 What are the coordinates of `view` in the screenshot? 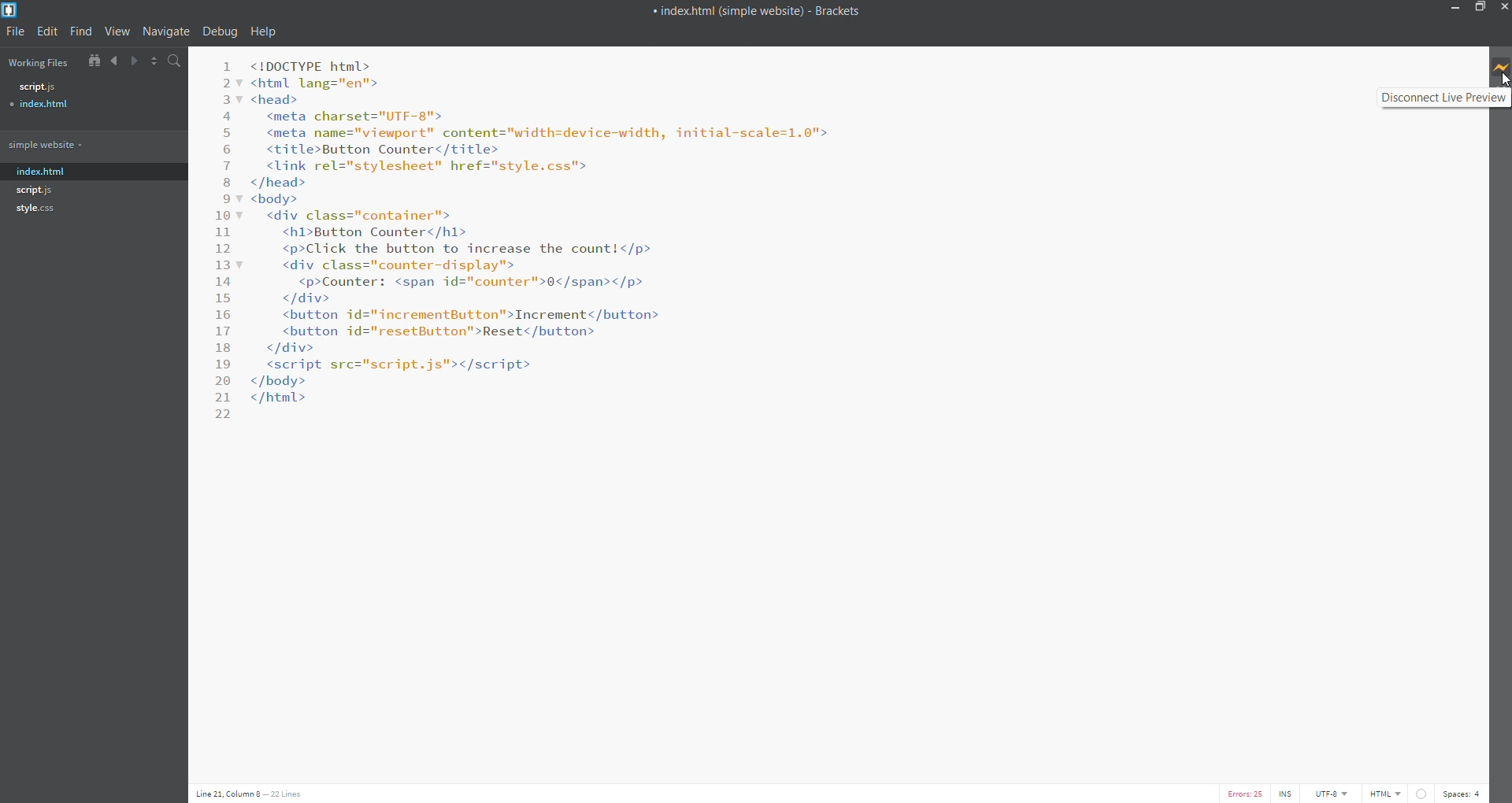 It's located at (114, 33).